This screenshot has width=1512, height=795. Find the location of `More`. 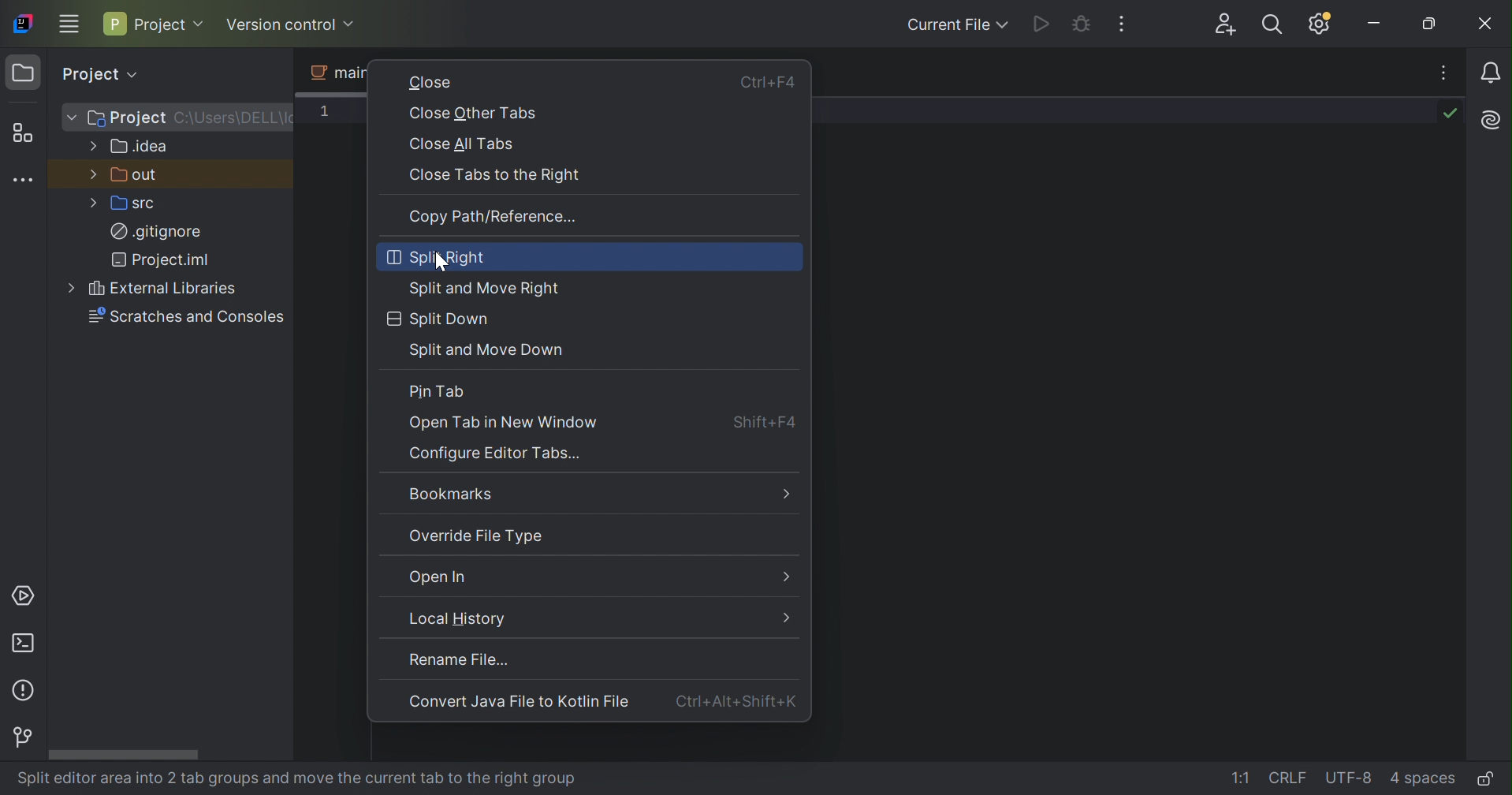

More is located at coordinates (783, 577).